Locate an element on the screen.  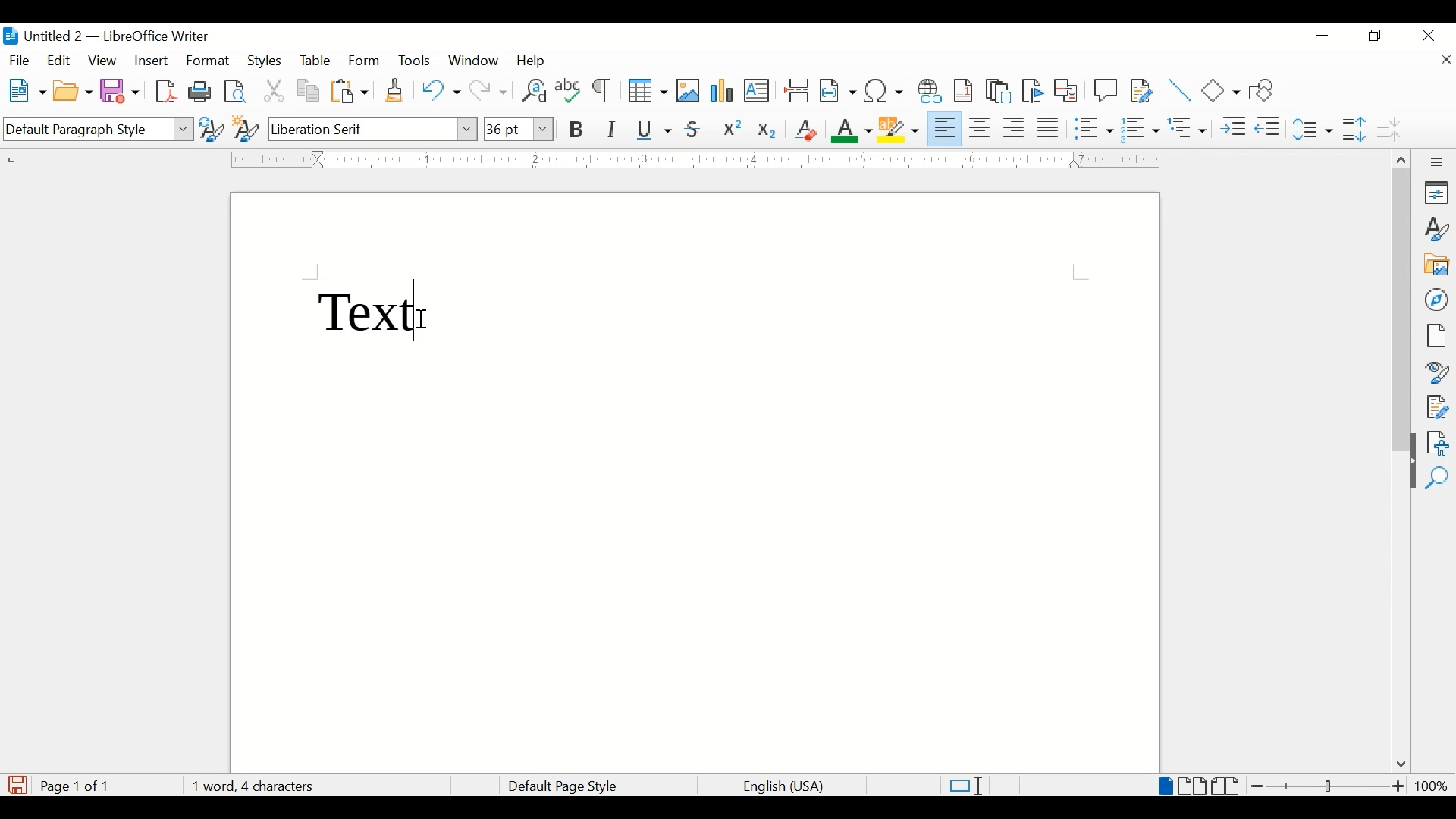
insert hyperlink is located at coordinates (930, 91).